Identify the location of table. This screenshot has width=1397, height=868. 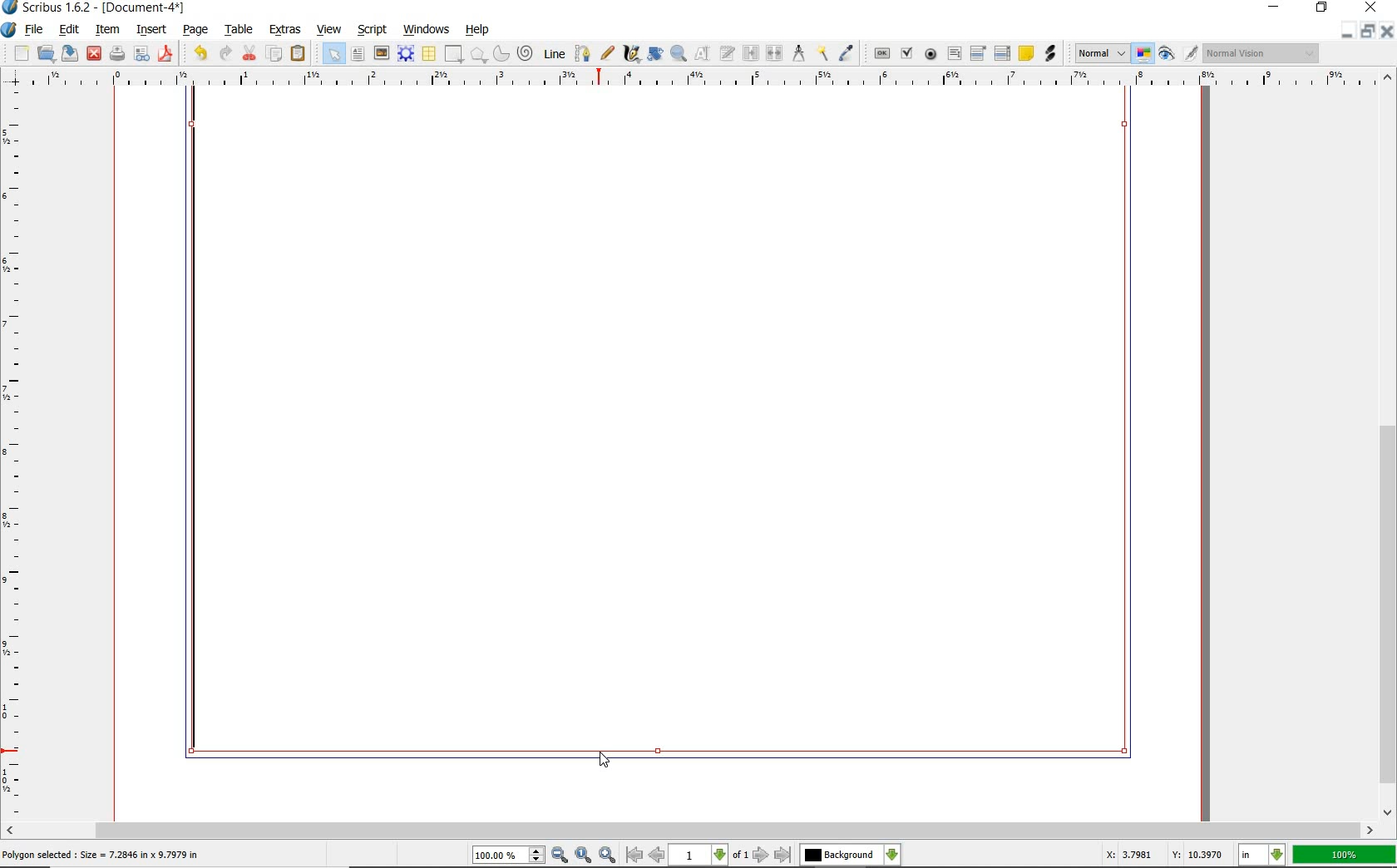
(239, 30).